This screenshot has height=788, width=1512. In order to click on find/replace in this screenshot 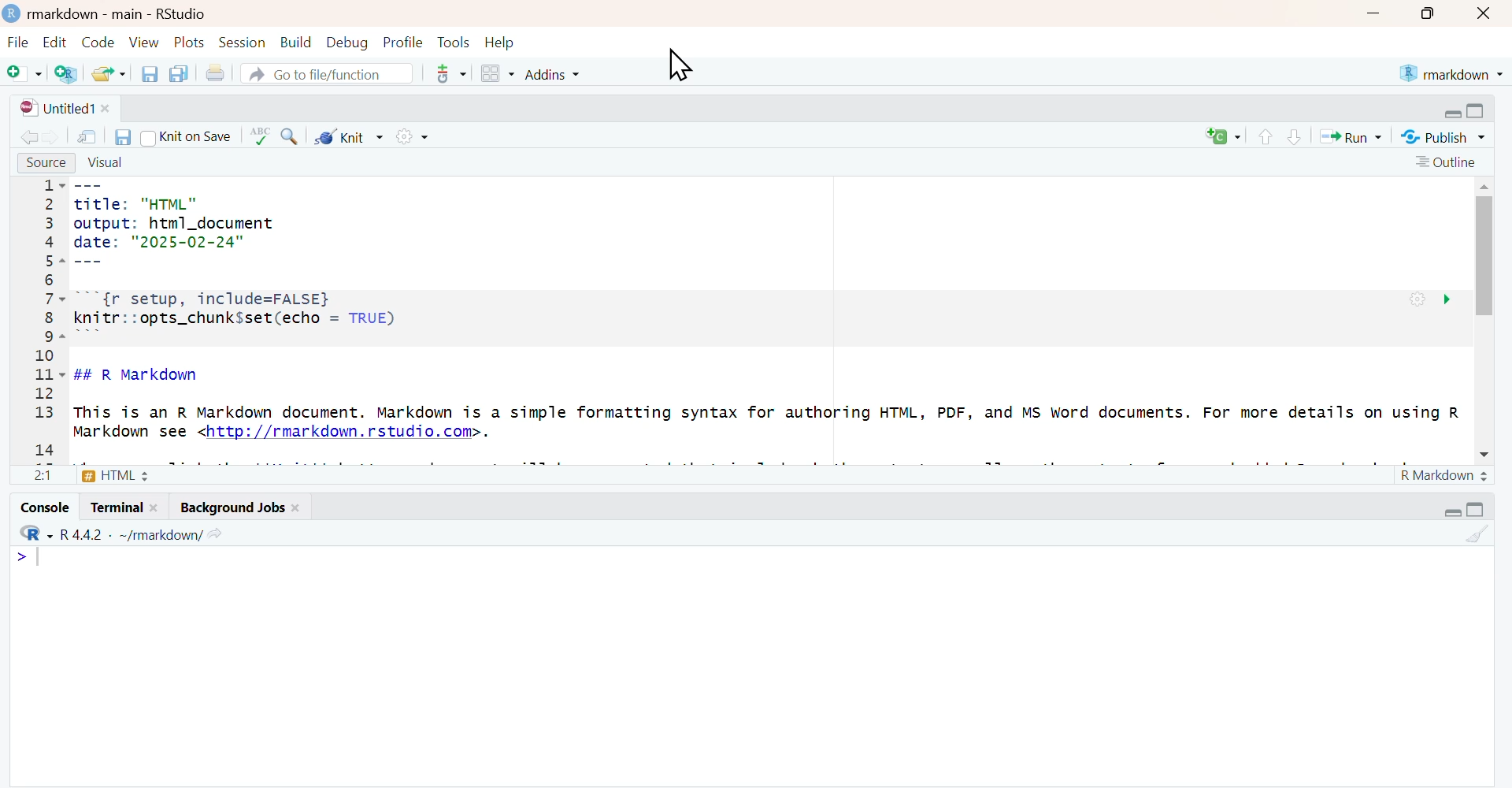, I will do `click(289, 136)`.